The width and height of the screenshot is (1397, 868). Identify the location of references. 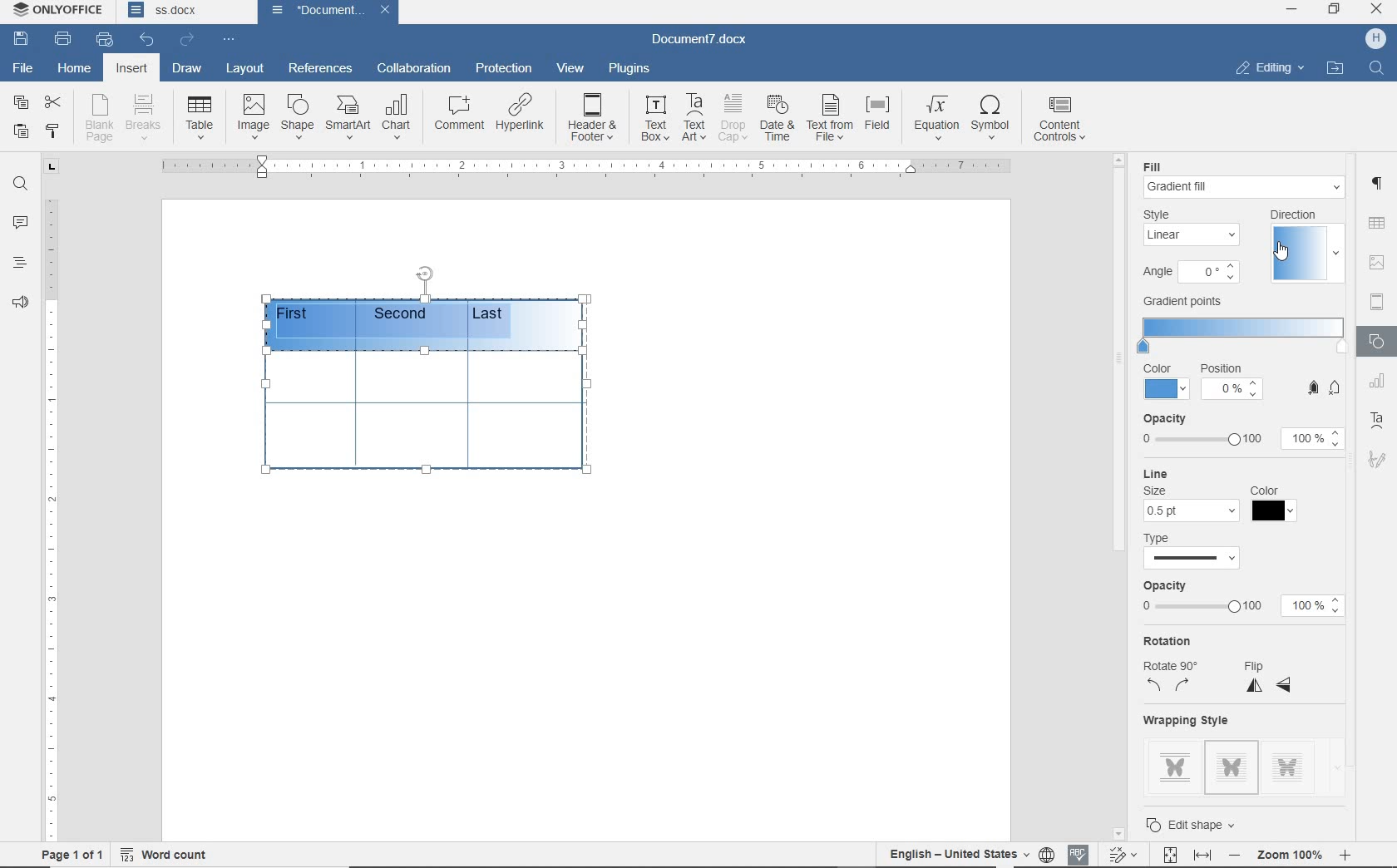
(320, 66).